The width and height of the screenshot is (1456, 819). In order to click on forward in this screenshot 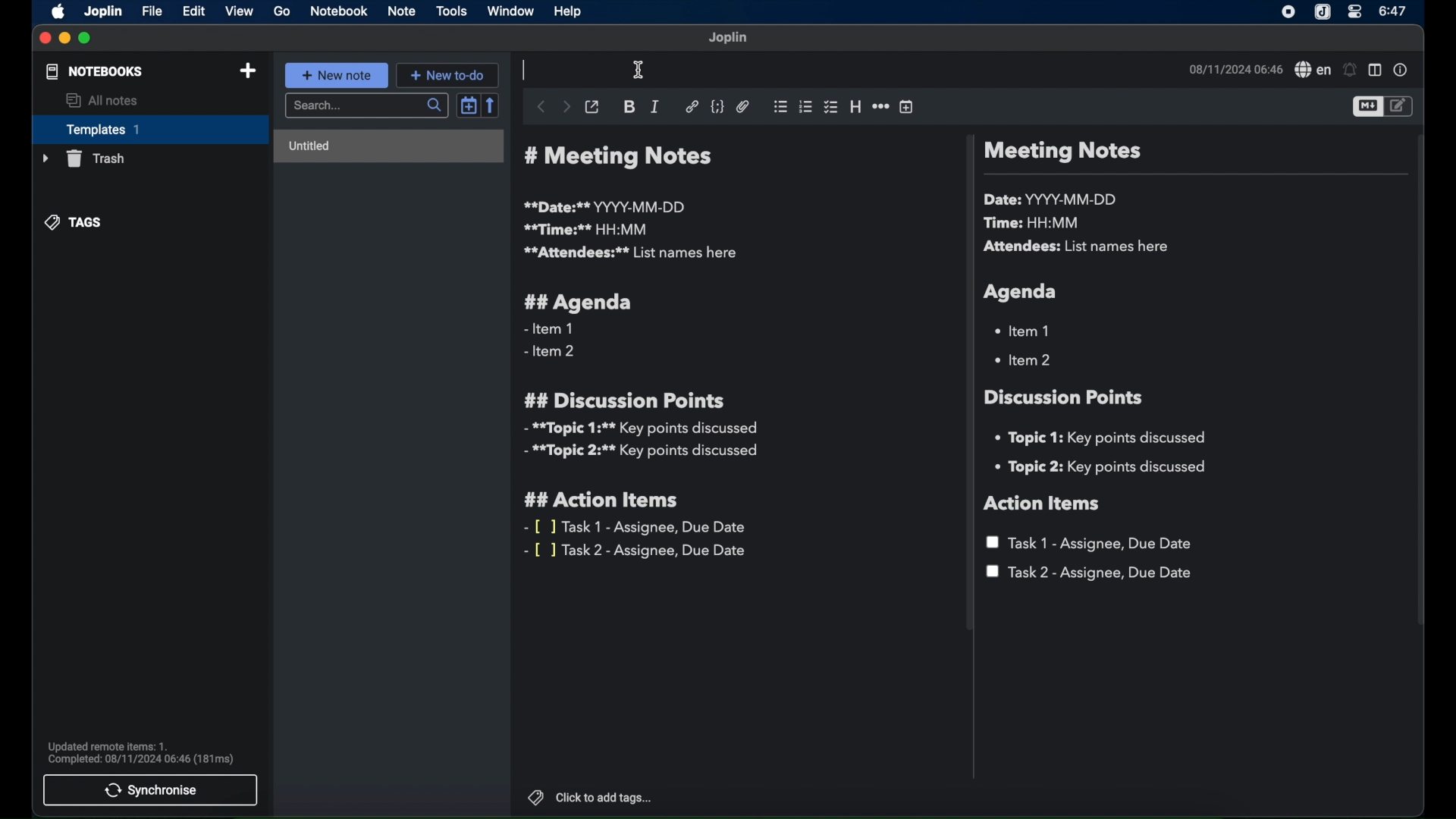, I will do `click(566, 108)`.